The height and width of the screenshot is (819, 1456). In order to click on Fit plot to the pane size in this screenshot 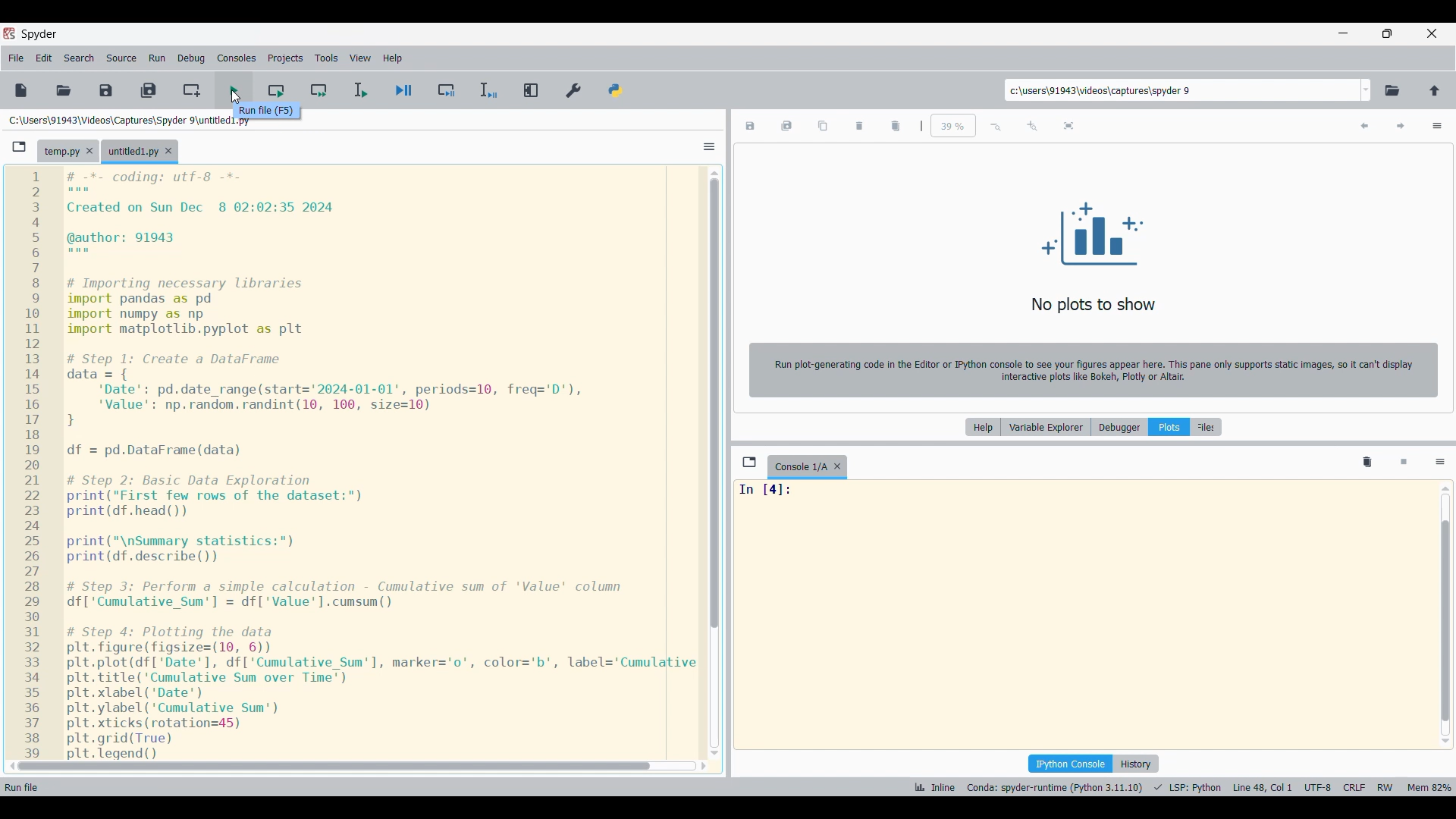, I will do `click(1068, 126)`.